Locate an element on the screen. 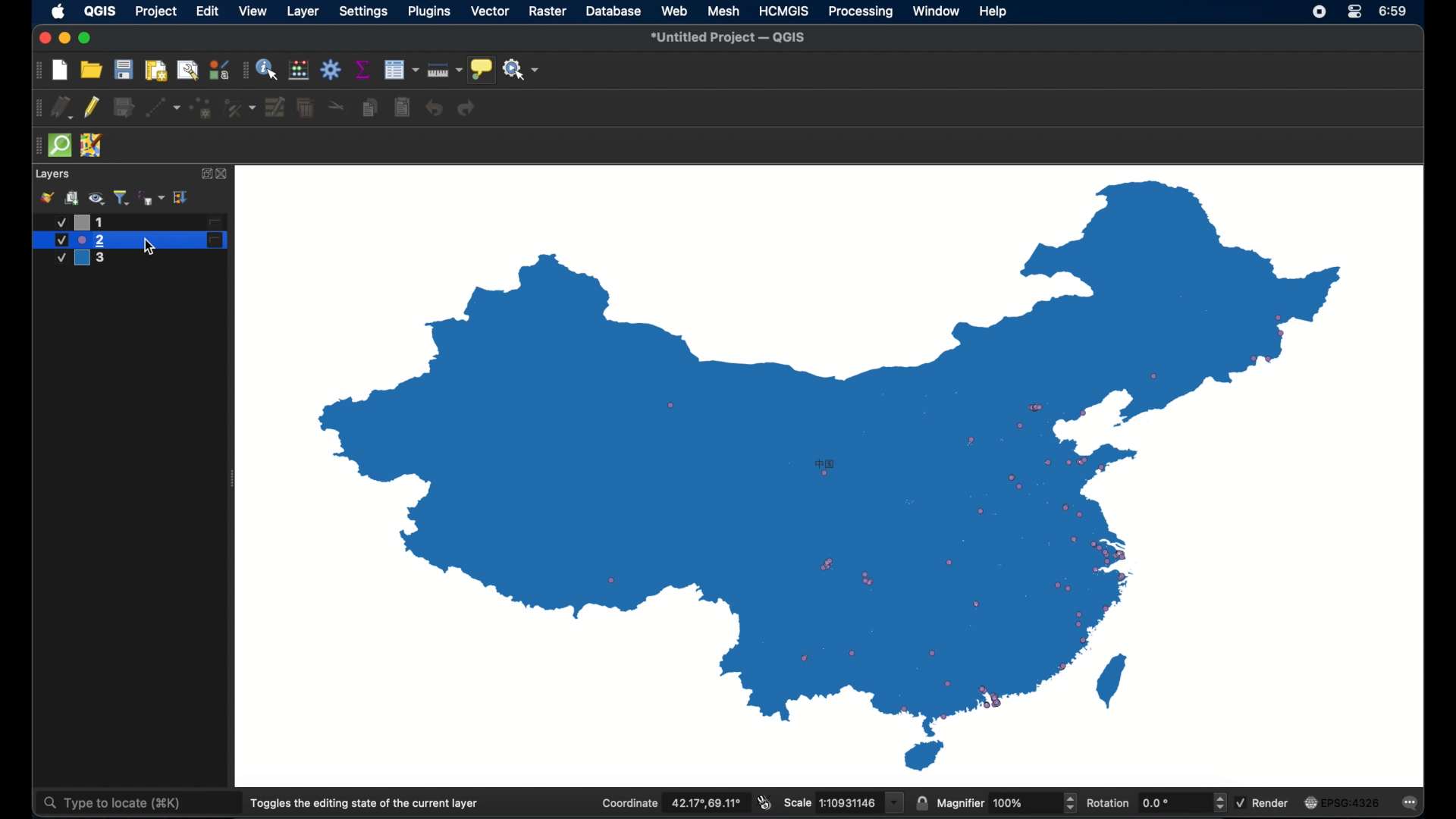  layer 1 is located at coordinates (136, 222).